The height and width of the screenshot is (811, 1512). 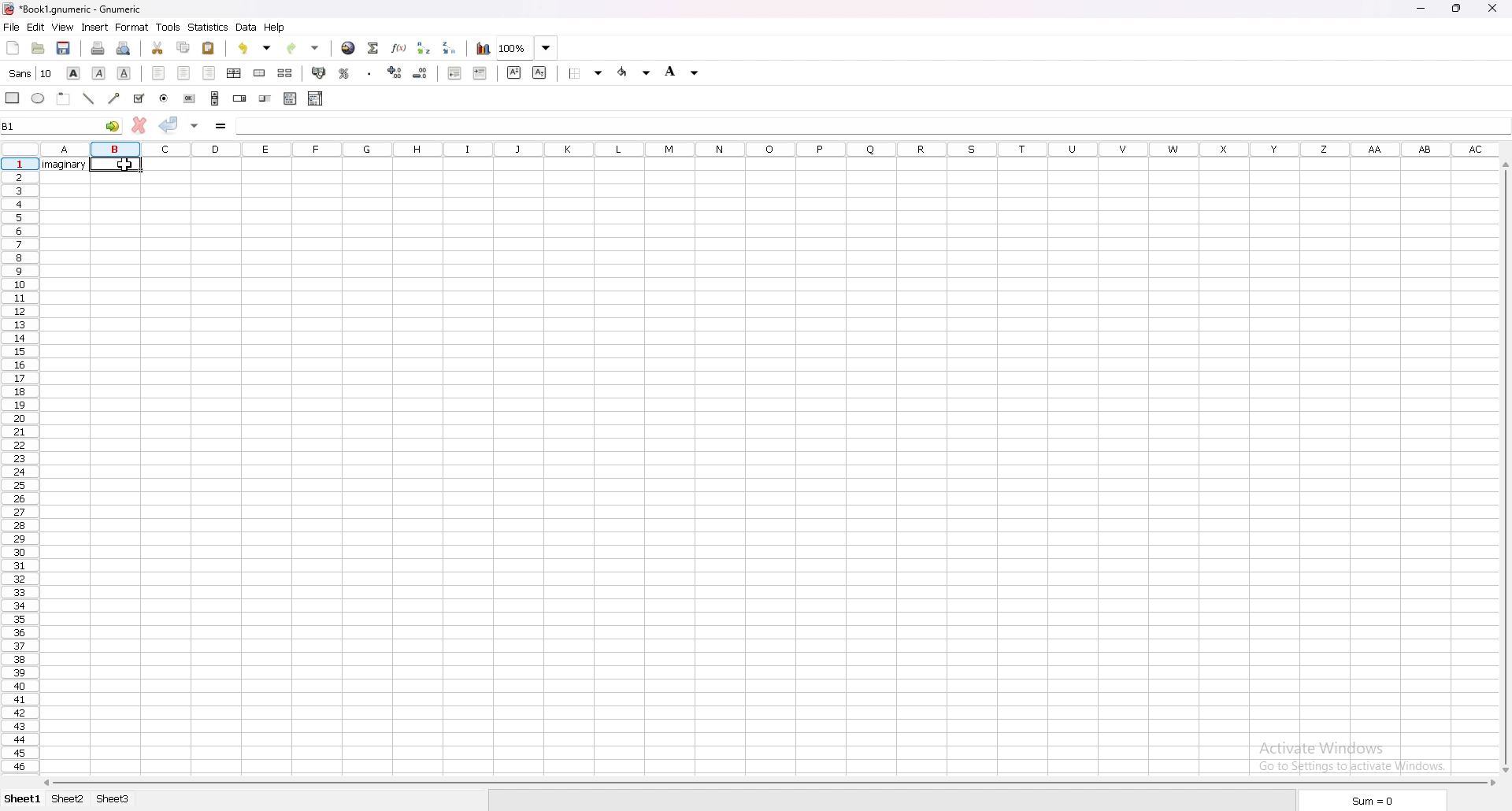 What do you see at coordinates (584, 73) in the screenshot?
I see `border` at bounding box center [584, 73].